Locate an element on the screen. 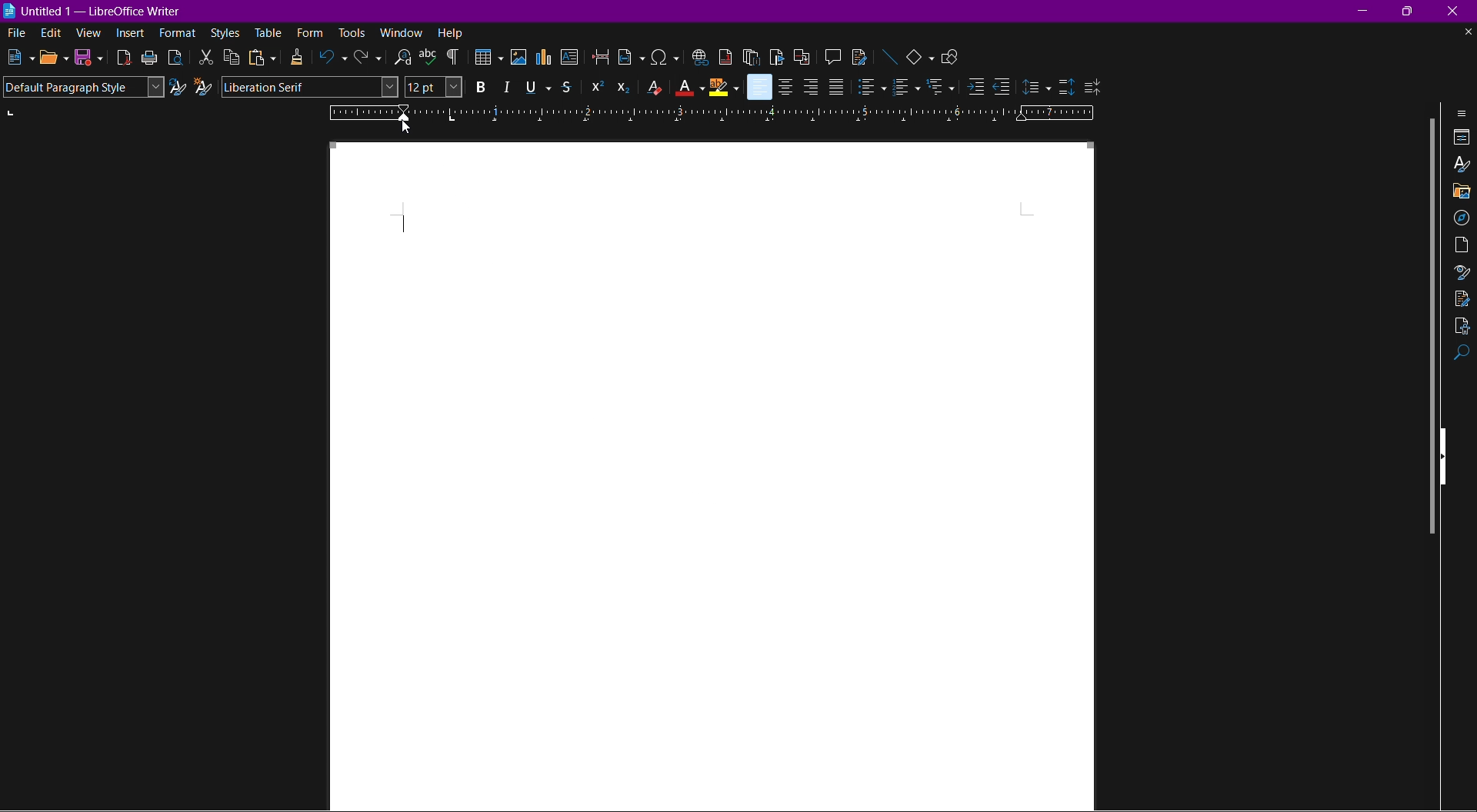 The width and height of the screenshot is (1477, 812). Paragraph Style is located at coordinates (82, 87).